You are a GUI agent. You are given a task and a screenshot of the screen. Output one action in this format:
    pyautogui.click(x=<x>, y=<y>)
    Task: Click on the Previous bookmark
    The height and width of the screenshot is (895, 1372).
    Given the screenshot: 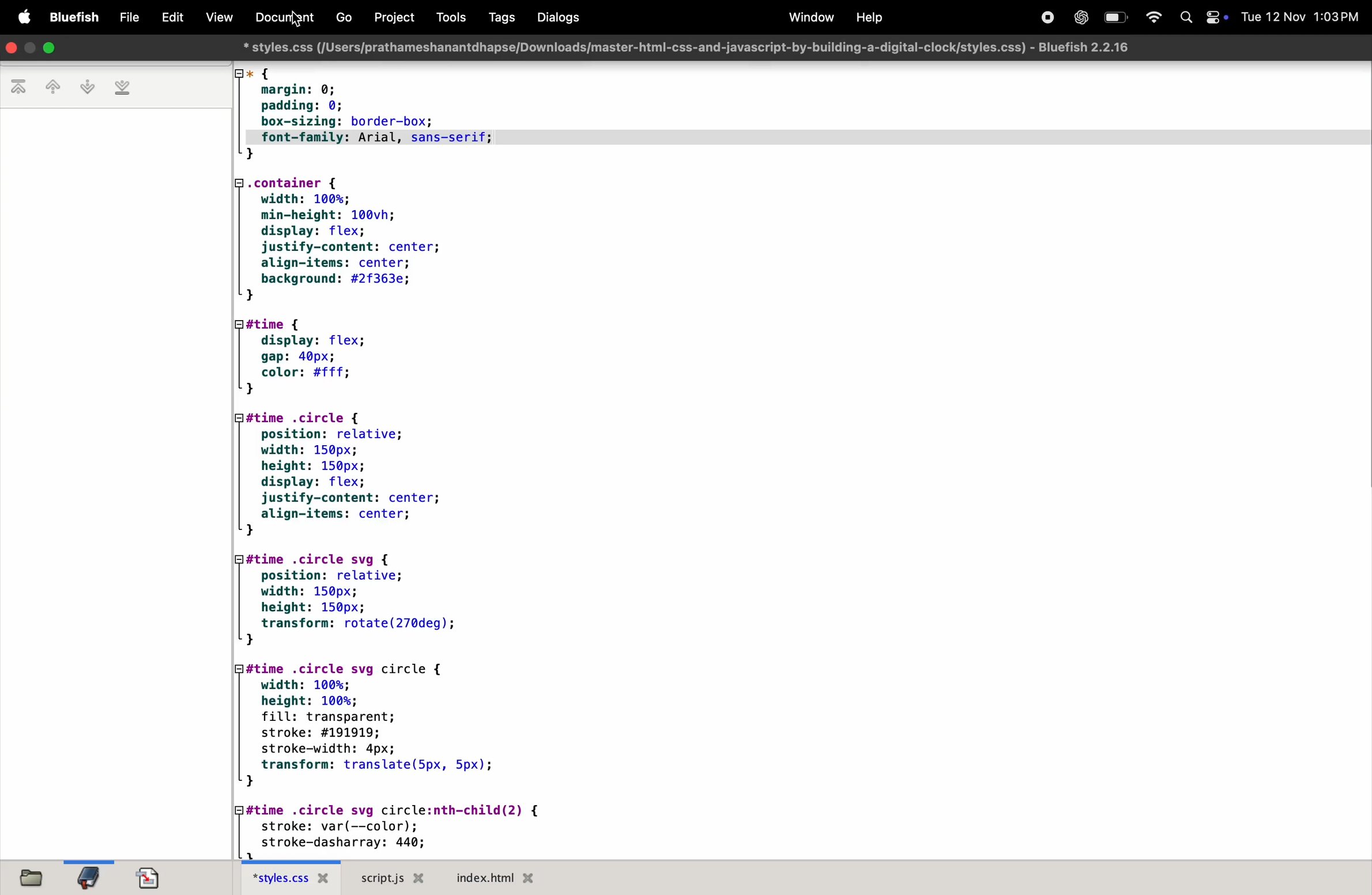 What is the action you would take?
    pyautogui.click(x=50, y=88)
    